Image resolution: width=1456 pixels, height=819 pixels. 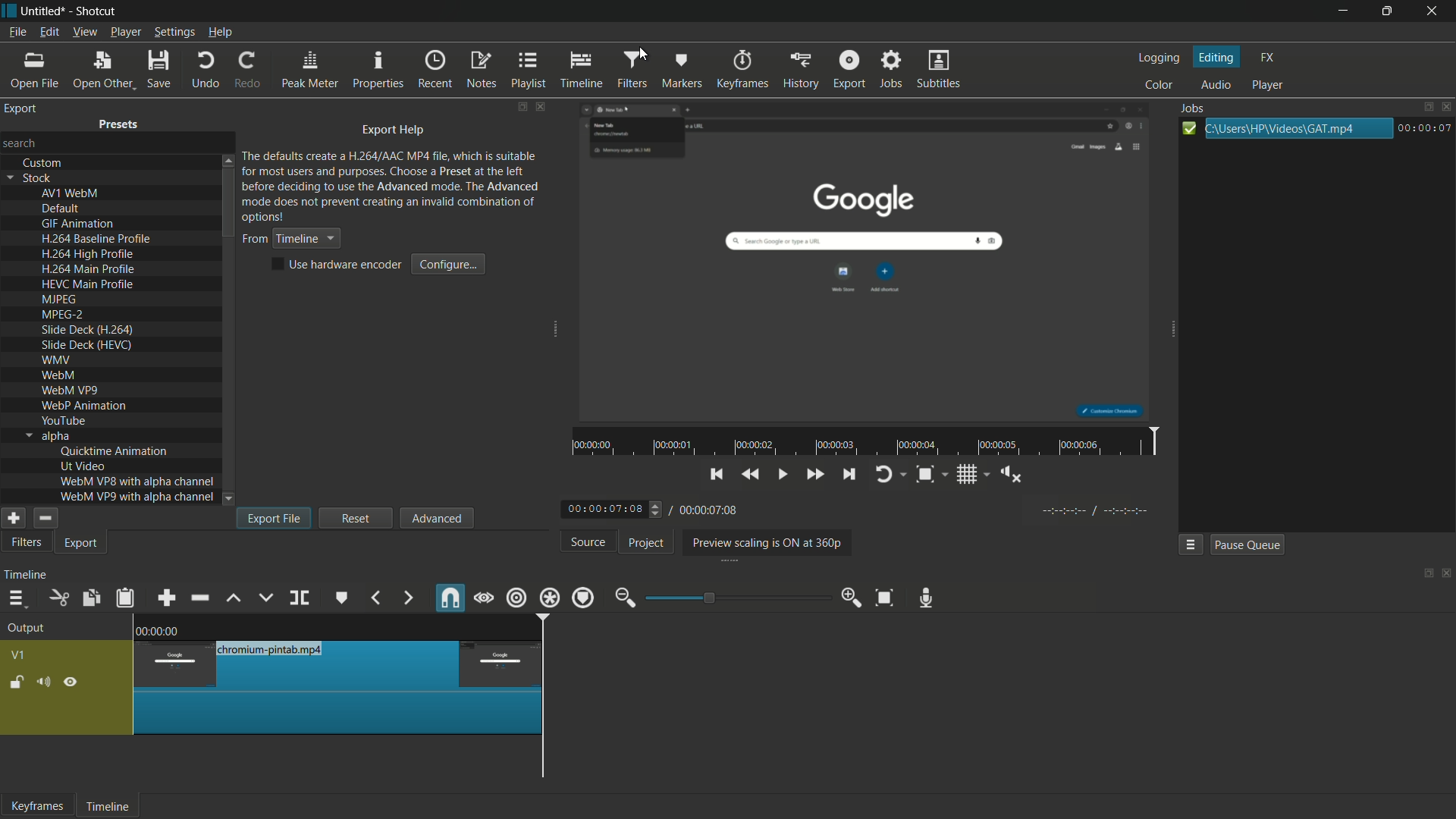 I want to click on zoom in, so click(x=852, y=596).